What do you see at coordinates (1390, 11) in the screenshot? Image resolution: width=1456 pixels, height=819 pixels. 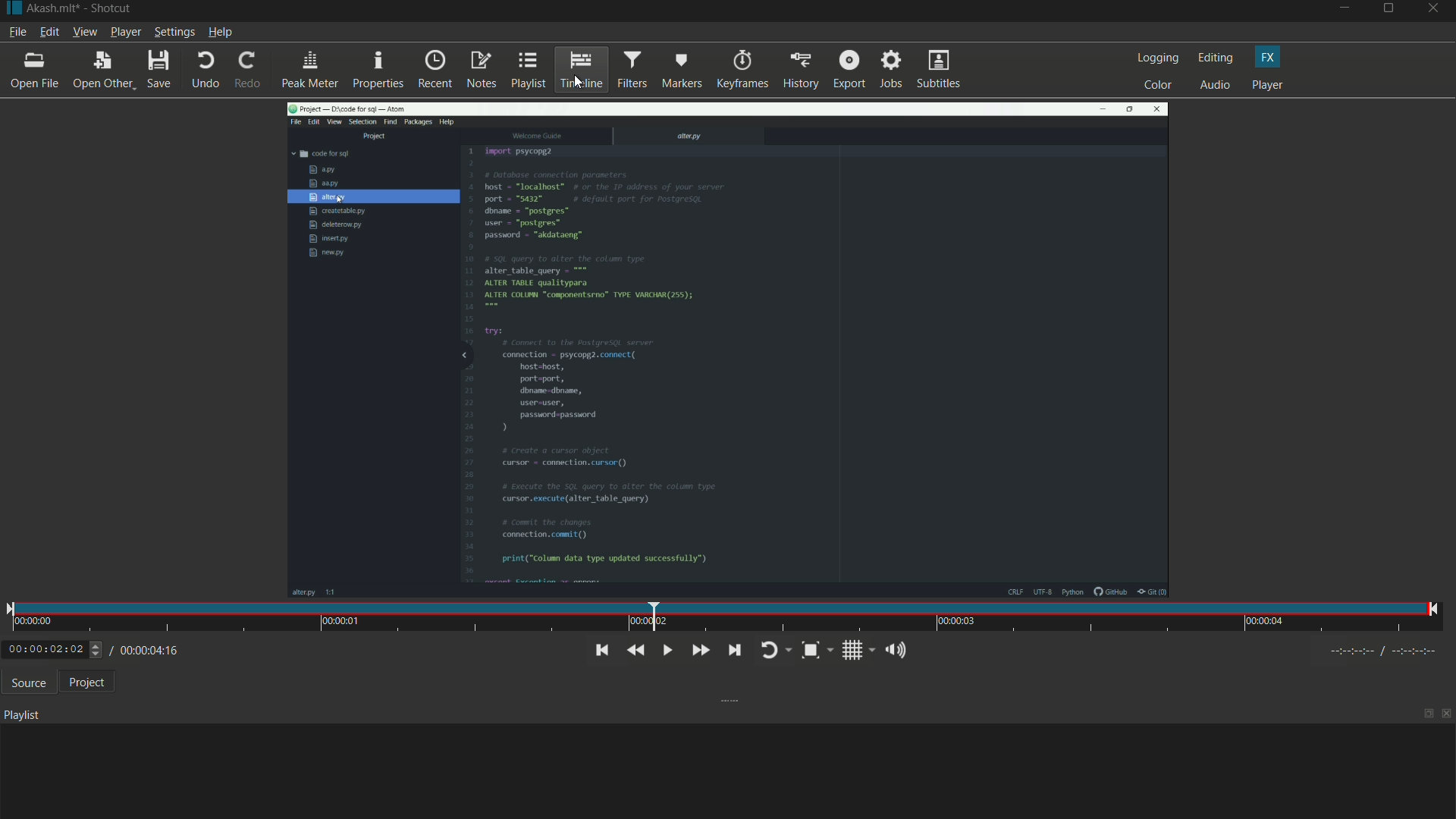 I see `maximize` at bounding box center [1390, 11].